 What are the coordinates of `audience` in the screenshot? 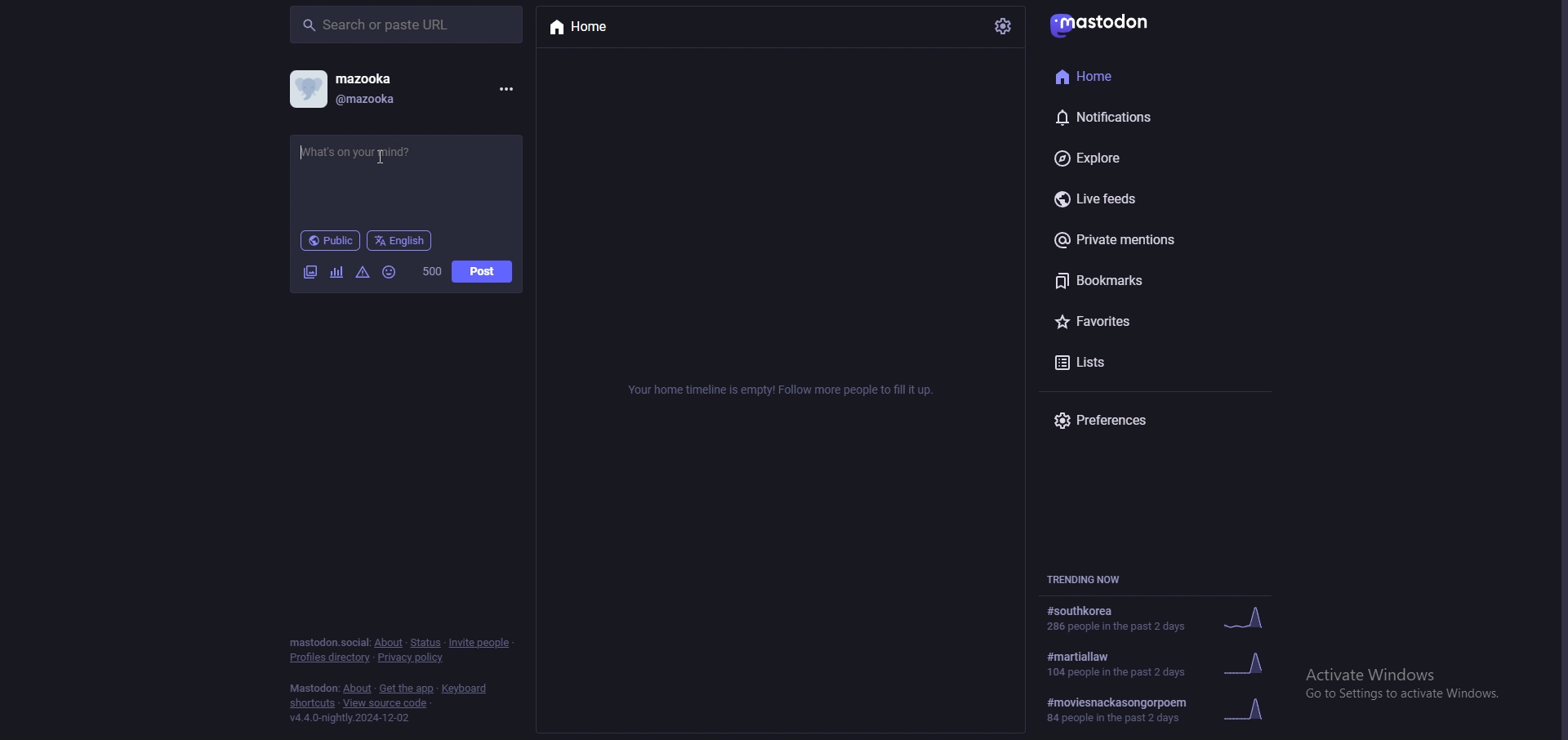 It's located at (330, 240).